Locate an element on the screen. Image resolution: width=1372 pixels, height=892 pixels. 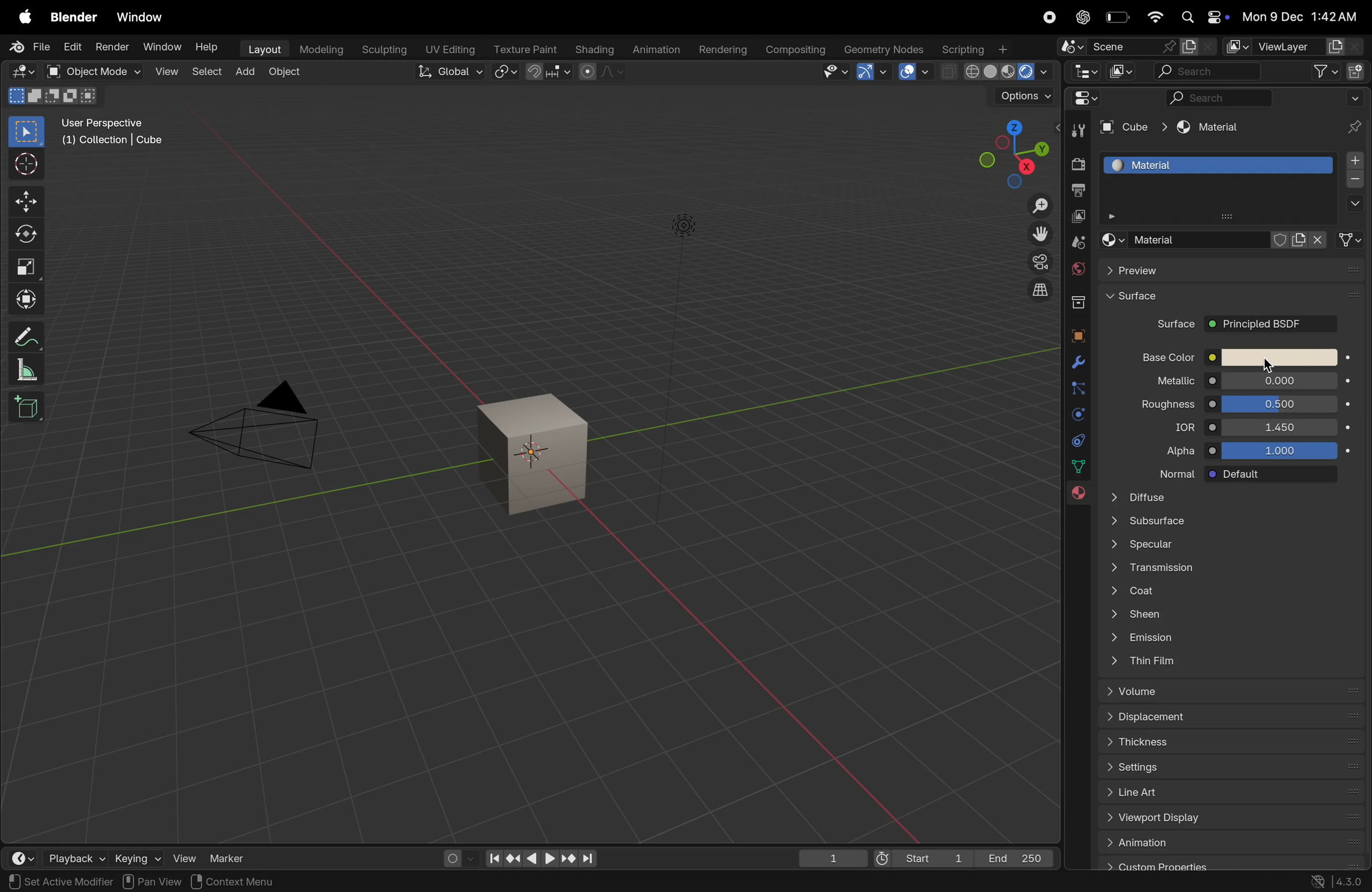
add cube is located at coordinates (29, 406).